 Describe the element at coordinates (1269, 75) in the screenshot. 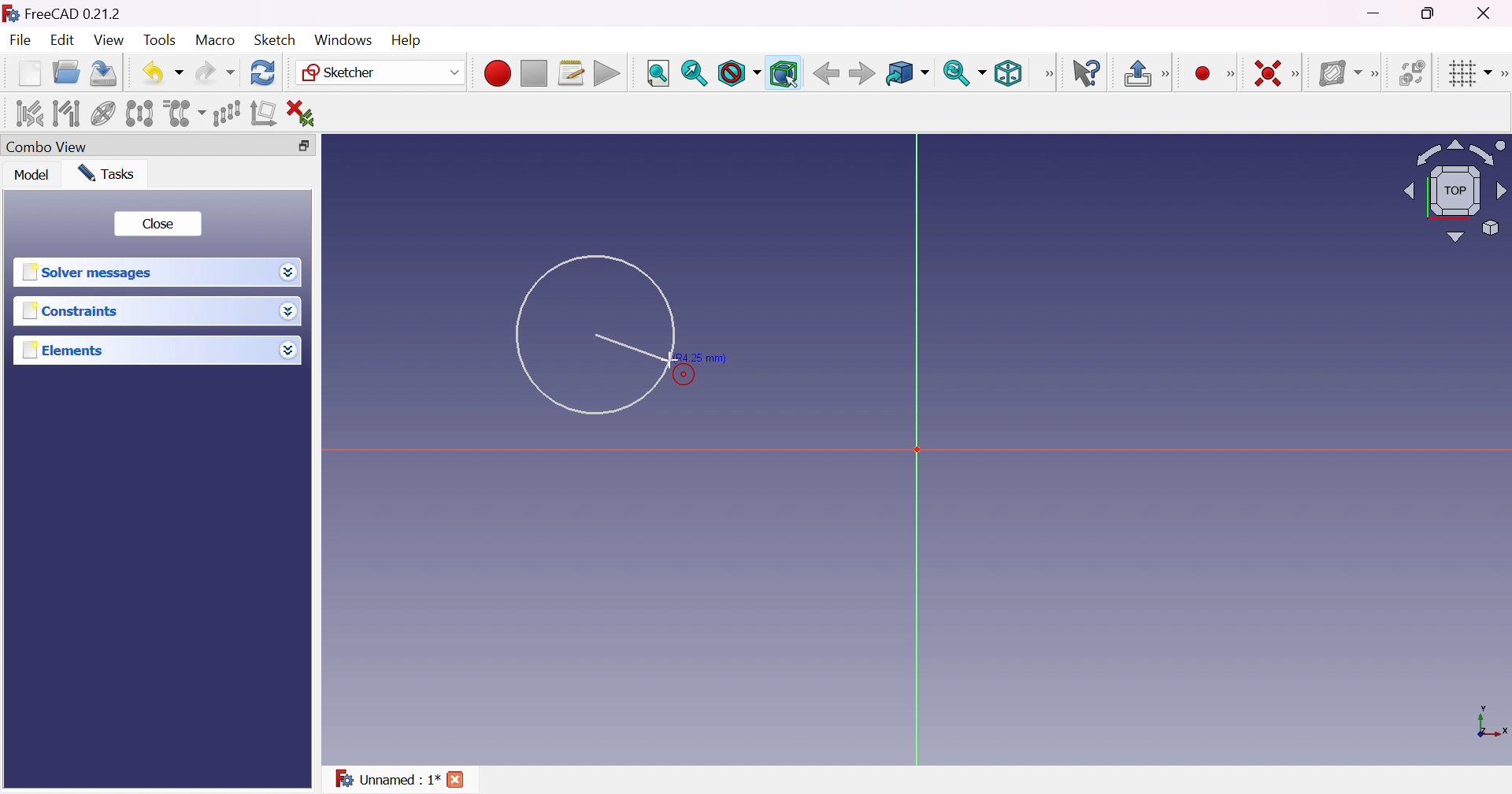

I see `Constrain conincident` at that location.